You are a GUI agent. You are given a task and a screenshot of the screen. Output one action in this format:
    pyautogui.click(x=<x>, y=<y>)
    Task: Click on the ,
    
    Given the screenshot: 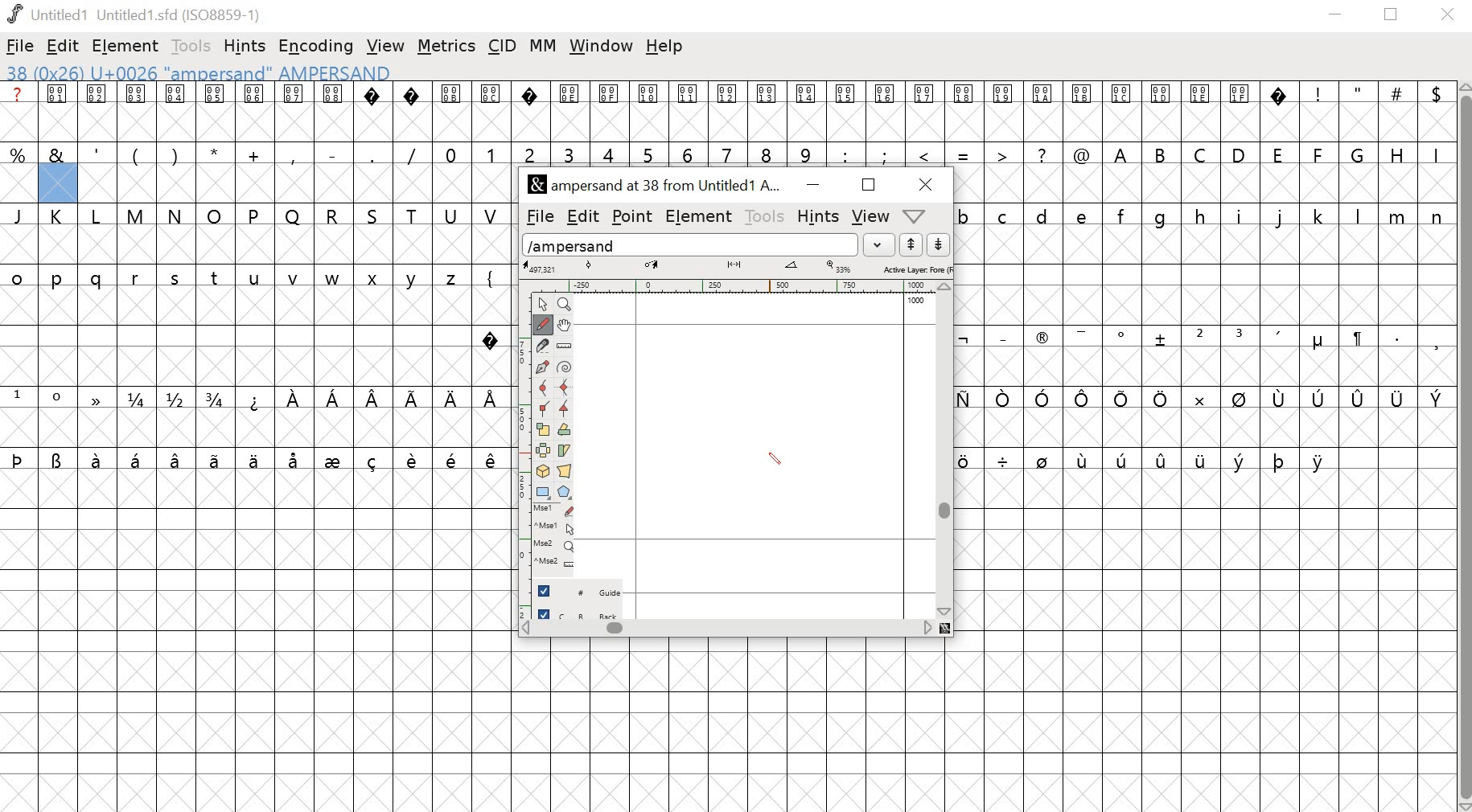 What is the action you would take?
    pyautogui.click(x=294, y=155)
    